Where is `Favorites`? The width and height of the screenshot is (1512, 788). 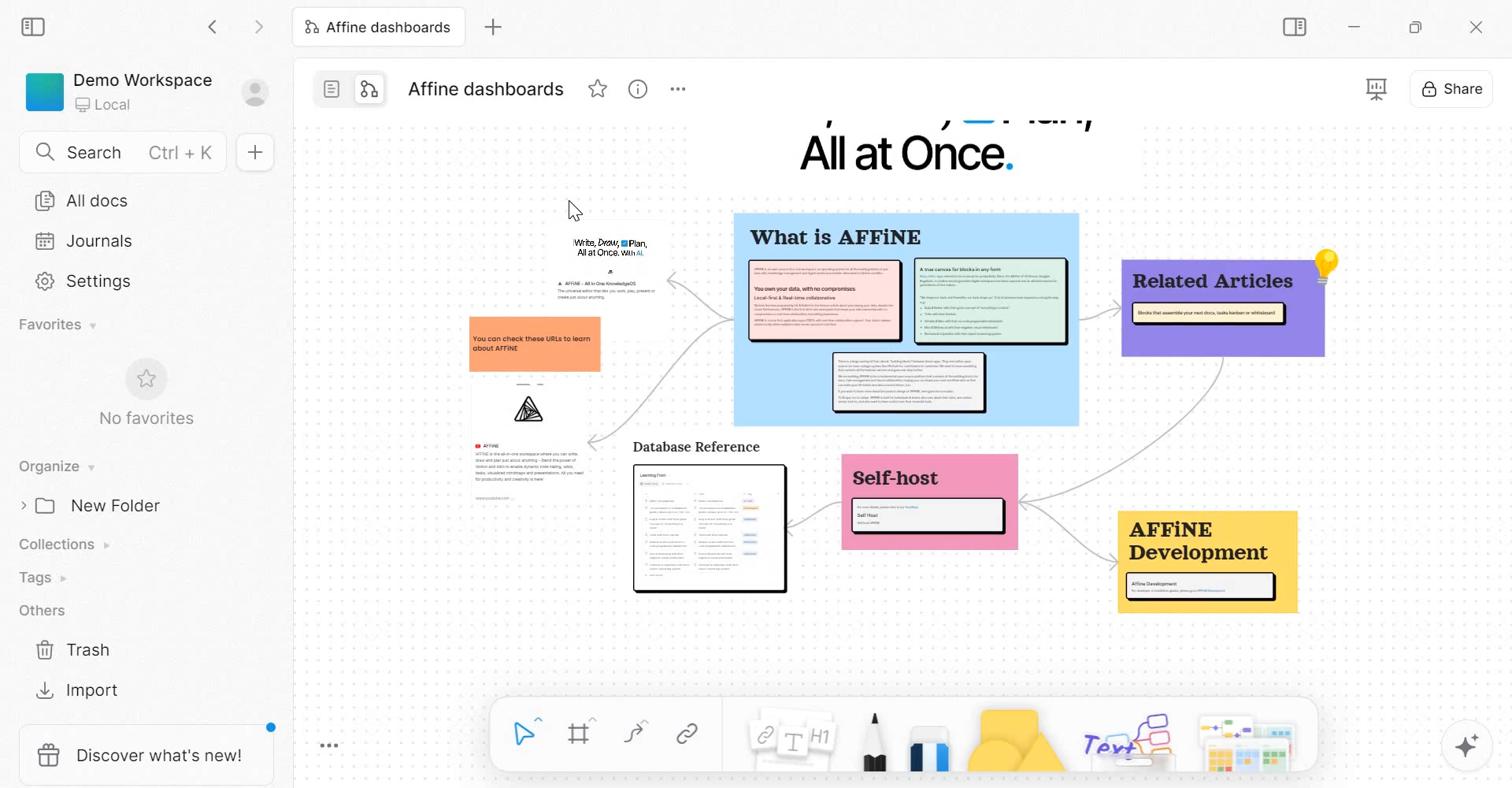
Favorites is located at coordinates (57, 325).